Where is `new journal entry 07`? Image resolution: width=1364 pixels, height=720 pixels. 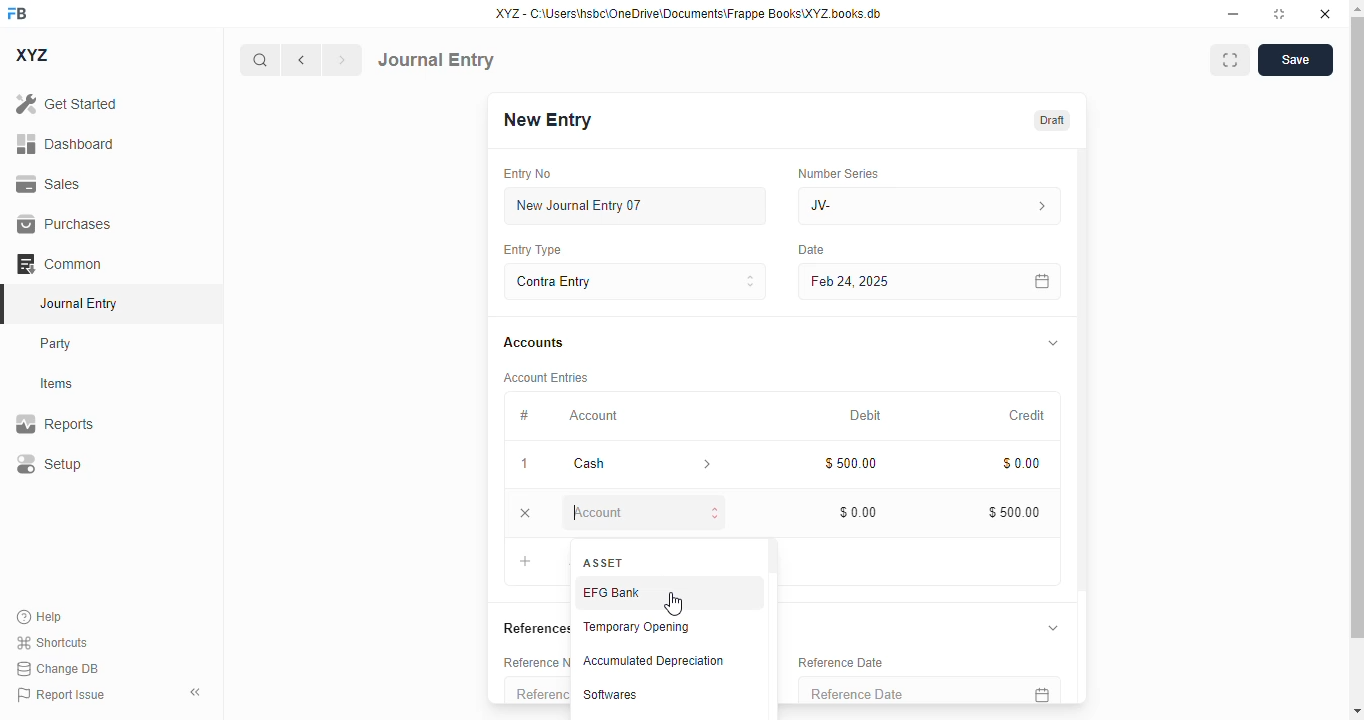
new journal entry 07 is located at coordinates (633, 205).